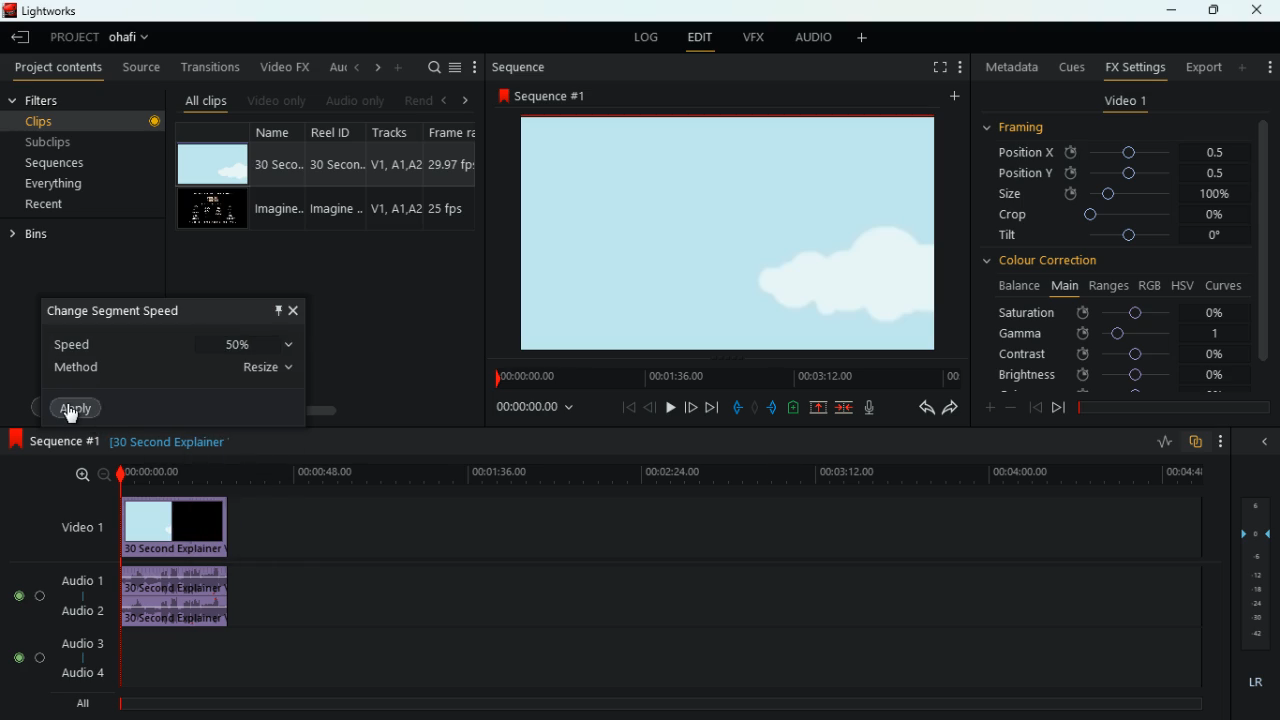 Image resolution: width=1280 pixels, height=720 pixels. What do you see at coordinates (275, 99) in the screenshot?
I see `video only` at bounding box center [275, 99].